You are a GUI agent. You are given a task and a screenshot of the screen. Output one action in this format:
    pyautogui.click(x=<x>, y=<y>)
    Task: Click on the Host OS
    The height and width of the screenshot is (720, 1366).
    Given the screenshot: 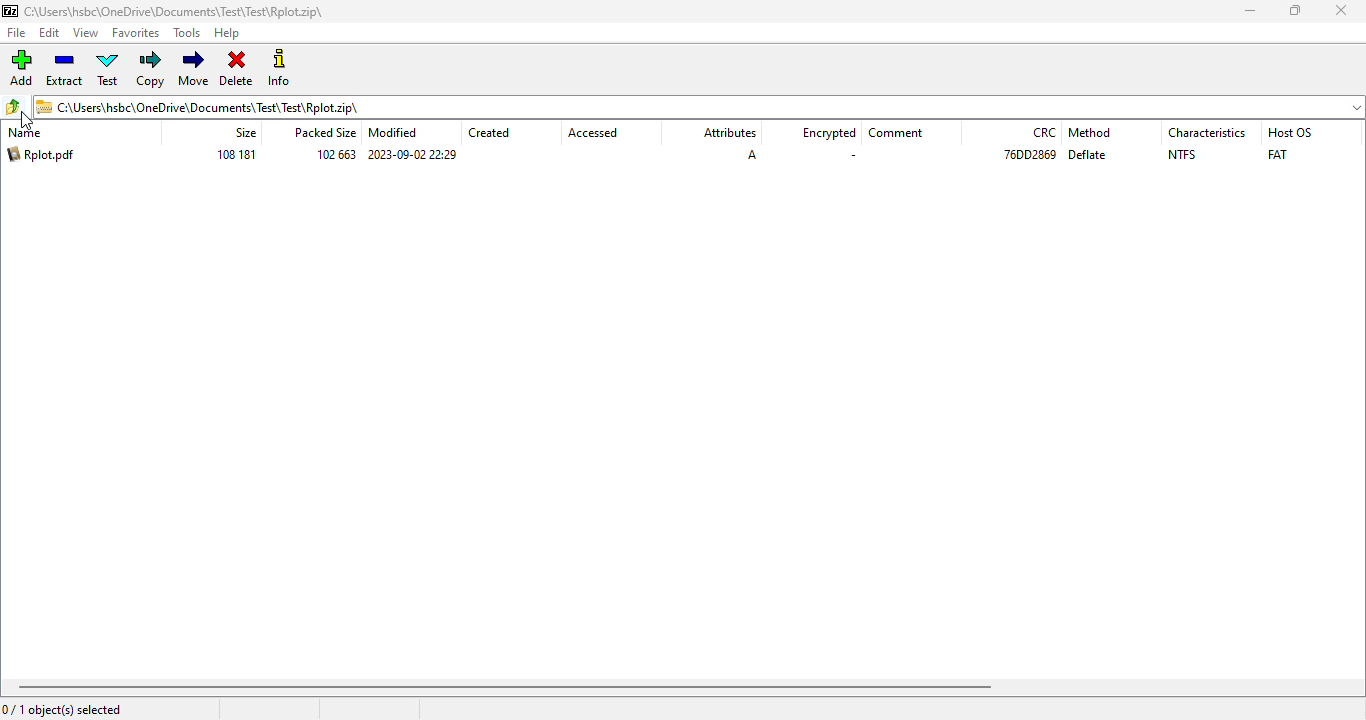 What is the action you would take?
    pyautogui.click(x=1288, y=133)
    